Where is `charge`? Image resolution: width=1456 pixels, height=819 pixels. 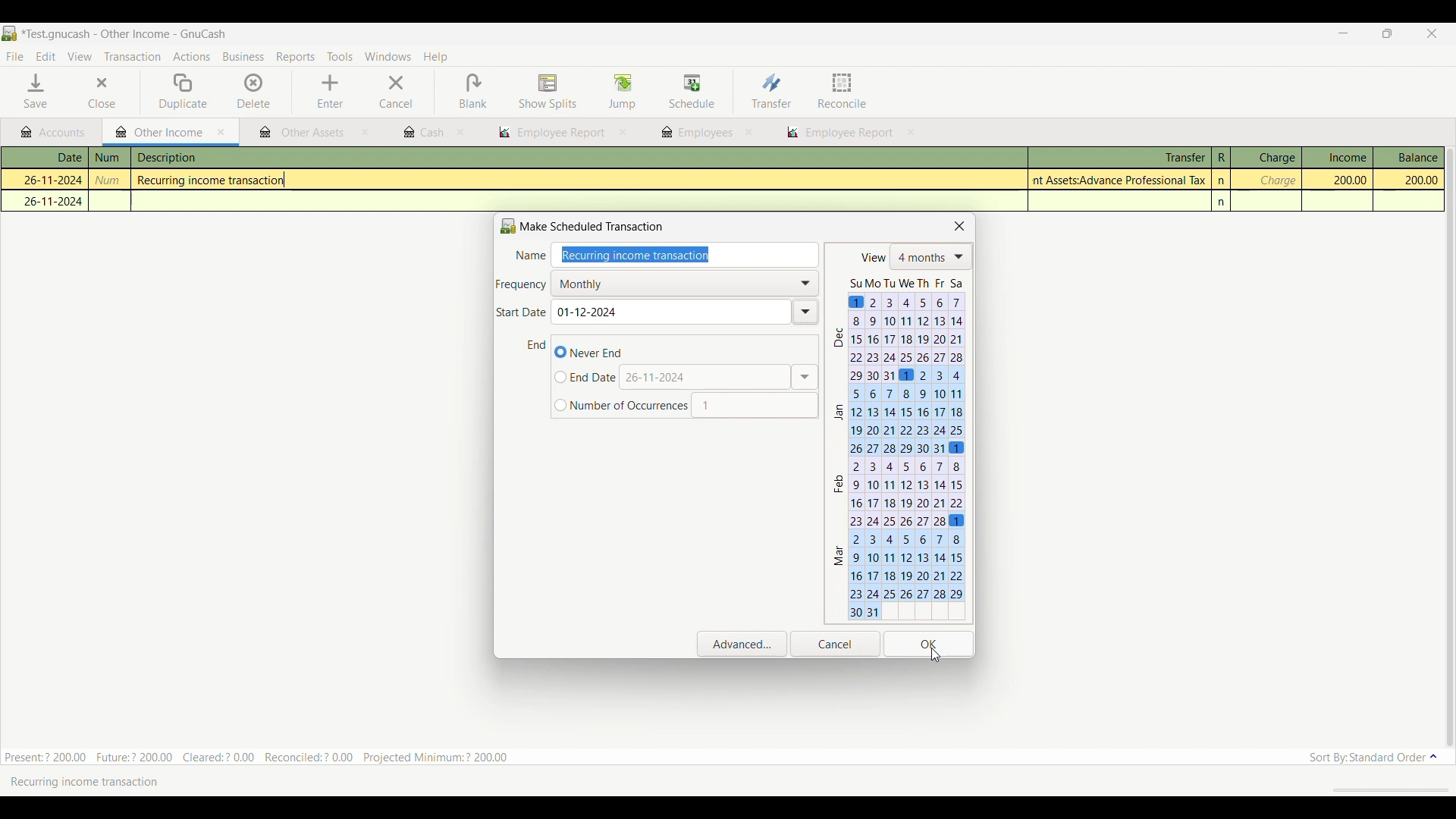 charge is located at coordinates (1276, 180).